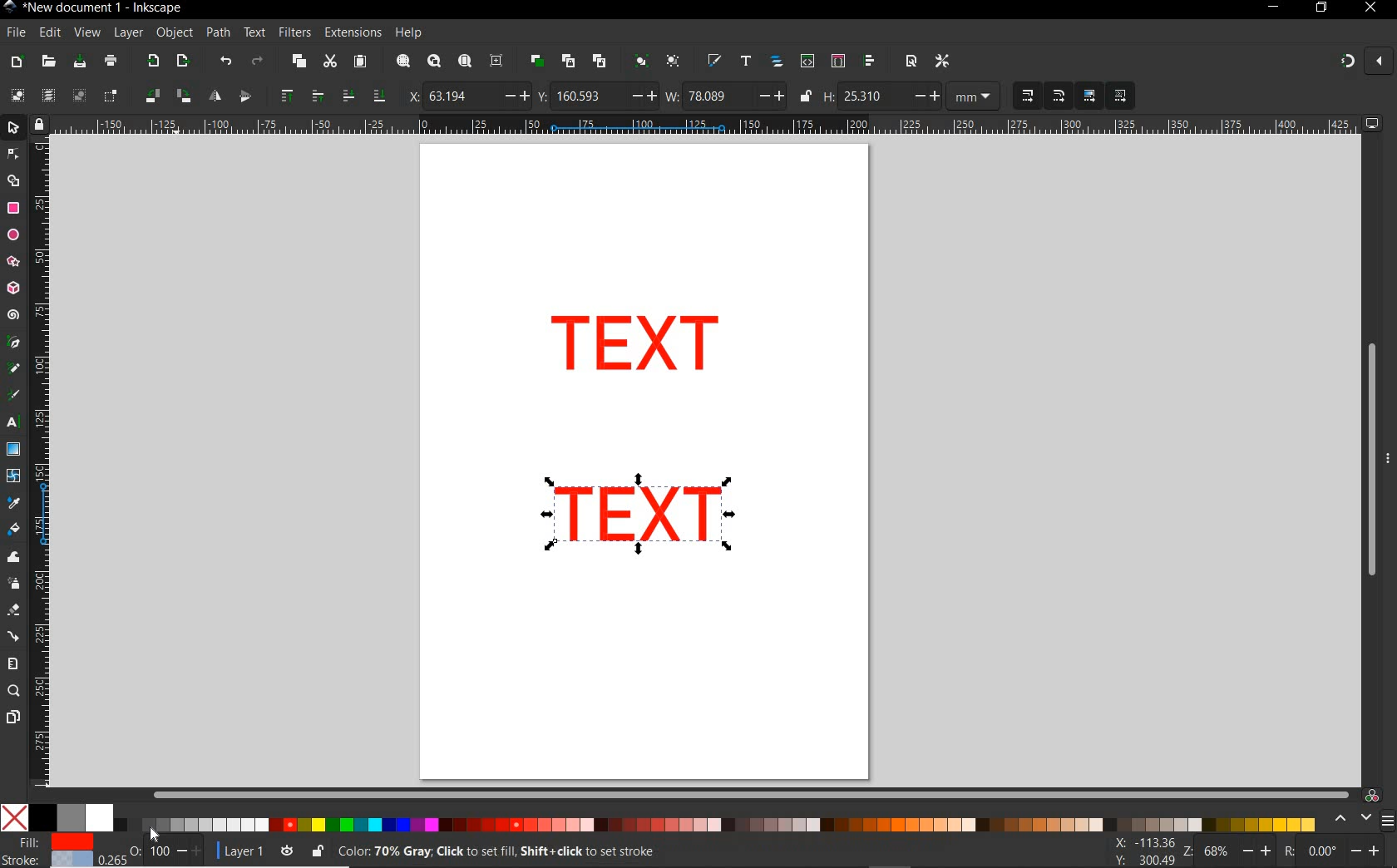  Describe the element at coordinates (257, 61) in the screenshot. I see `redo` at that location.